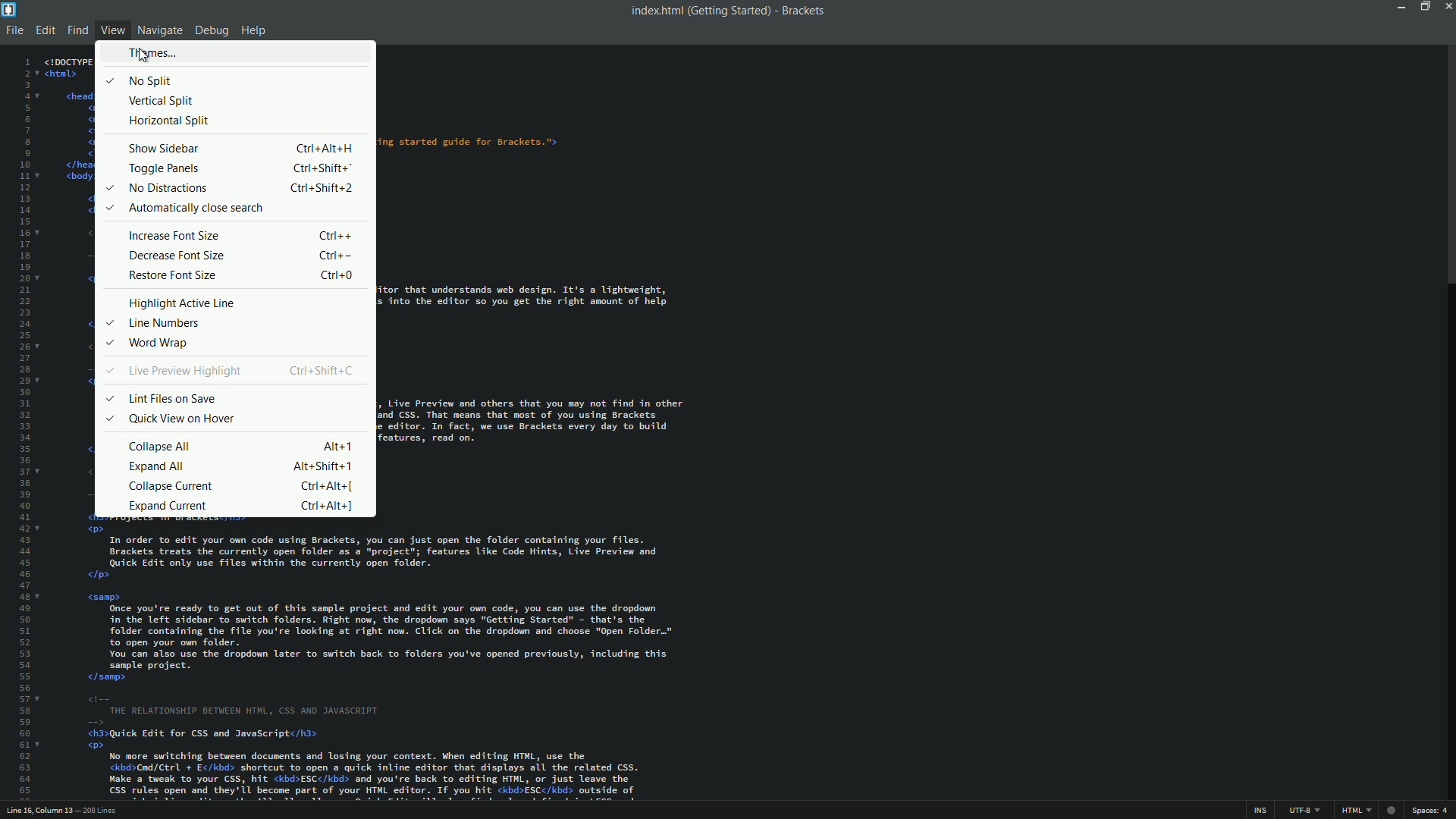  Describe the element at coordinates (1358, 811) in the screenshot. I see `file format` at that location.